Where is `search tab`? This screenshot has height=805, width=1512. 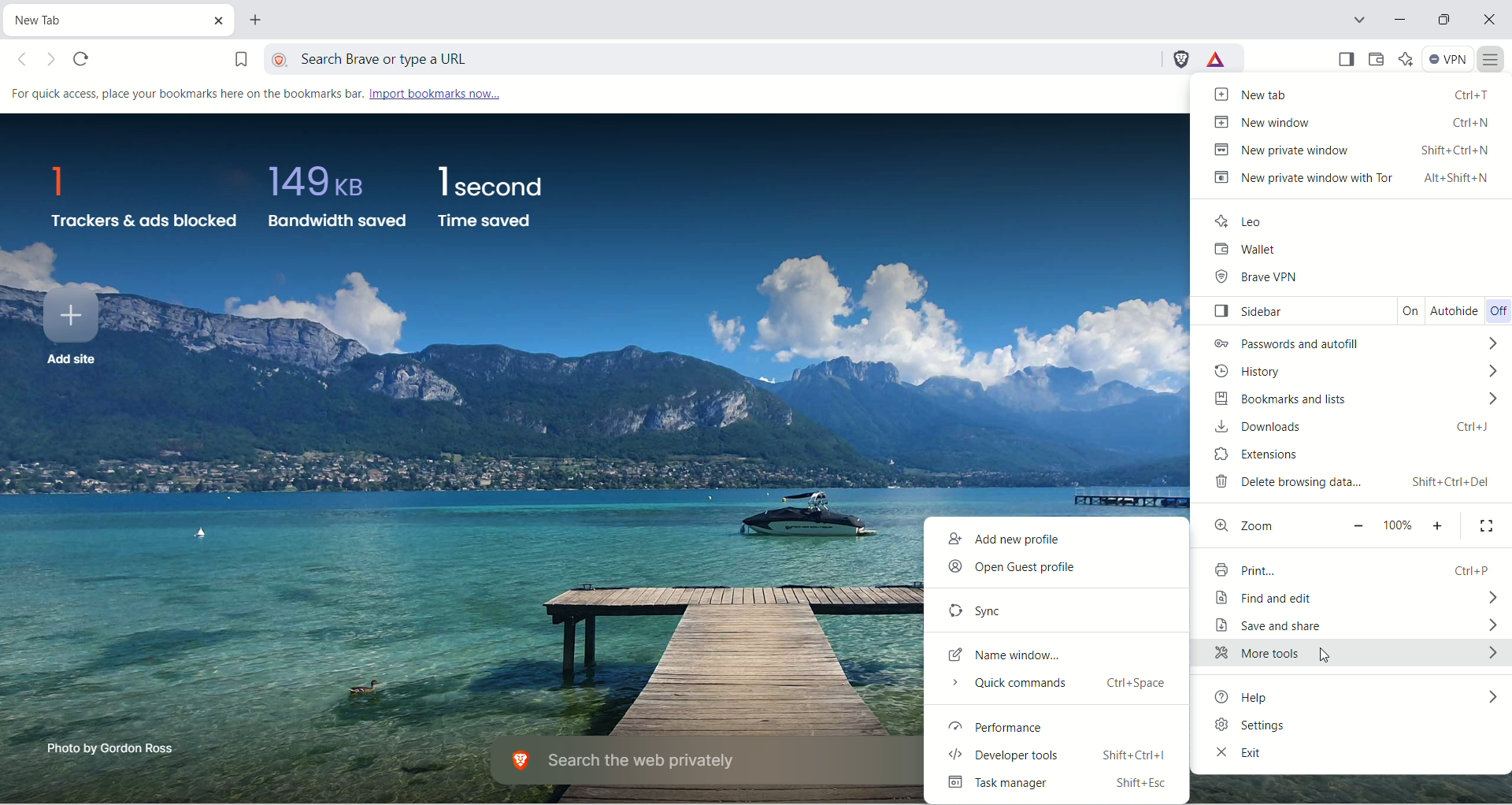
search tab is located at coordinates (1362, 20).